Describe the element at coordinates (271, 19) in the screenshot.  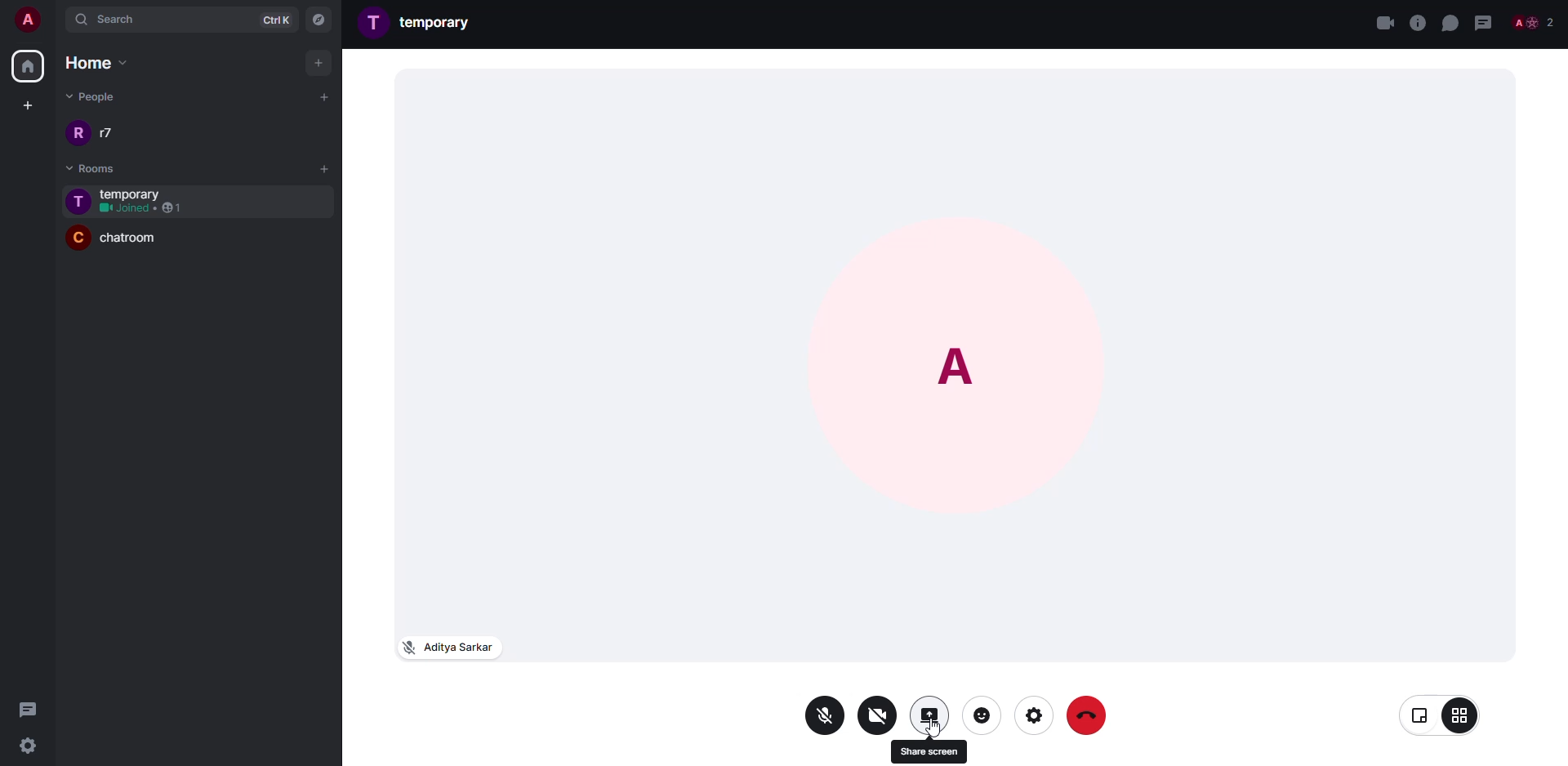
I see `ctrlK` at that location.